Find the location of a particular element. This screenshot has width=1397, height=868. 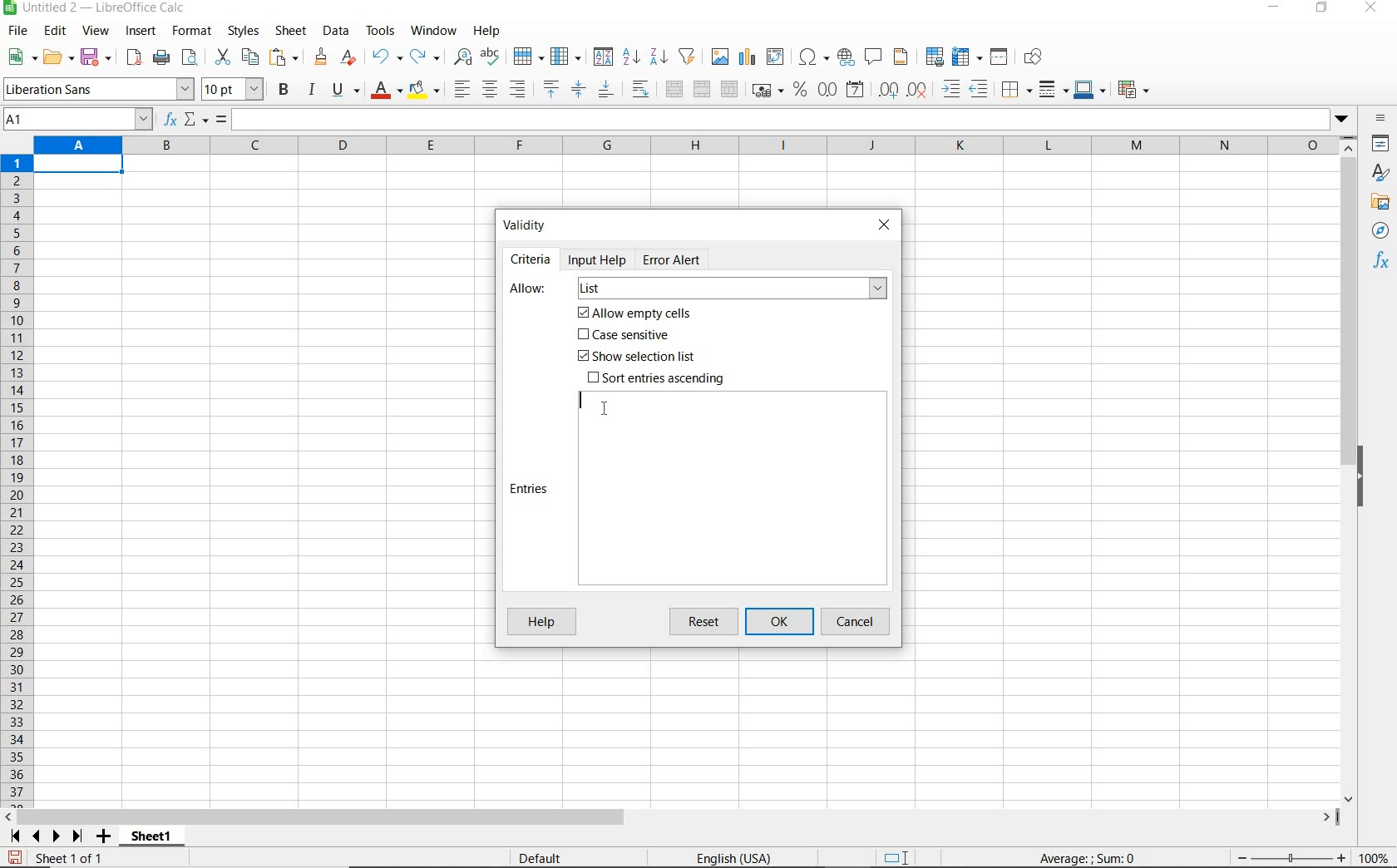

sheet is located at coordinates (292, 32).